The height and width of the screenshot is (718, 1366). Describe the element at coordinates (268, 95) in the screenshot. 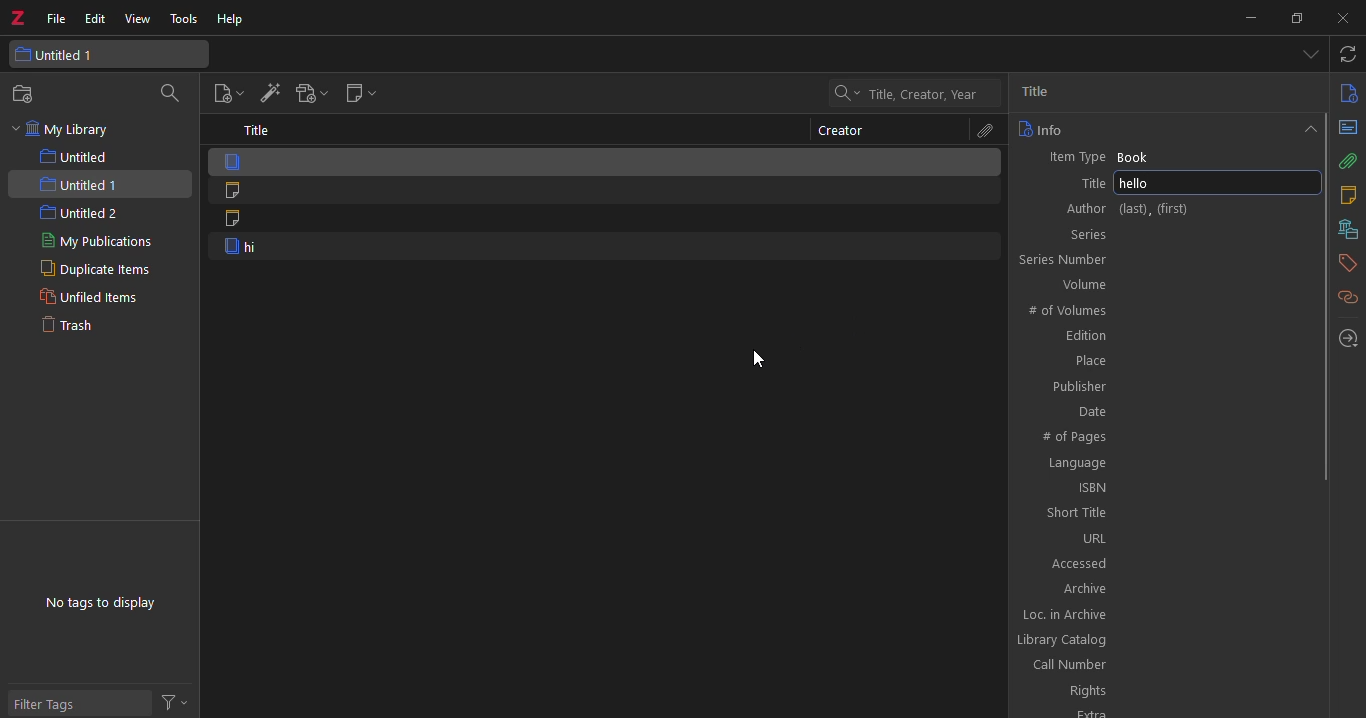

I see `add item` at that location.